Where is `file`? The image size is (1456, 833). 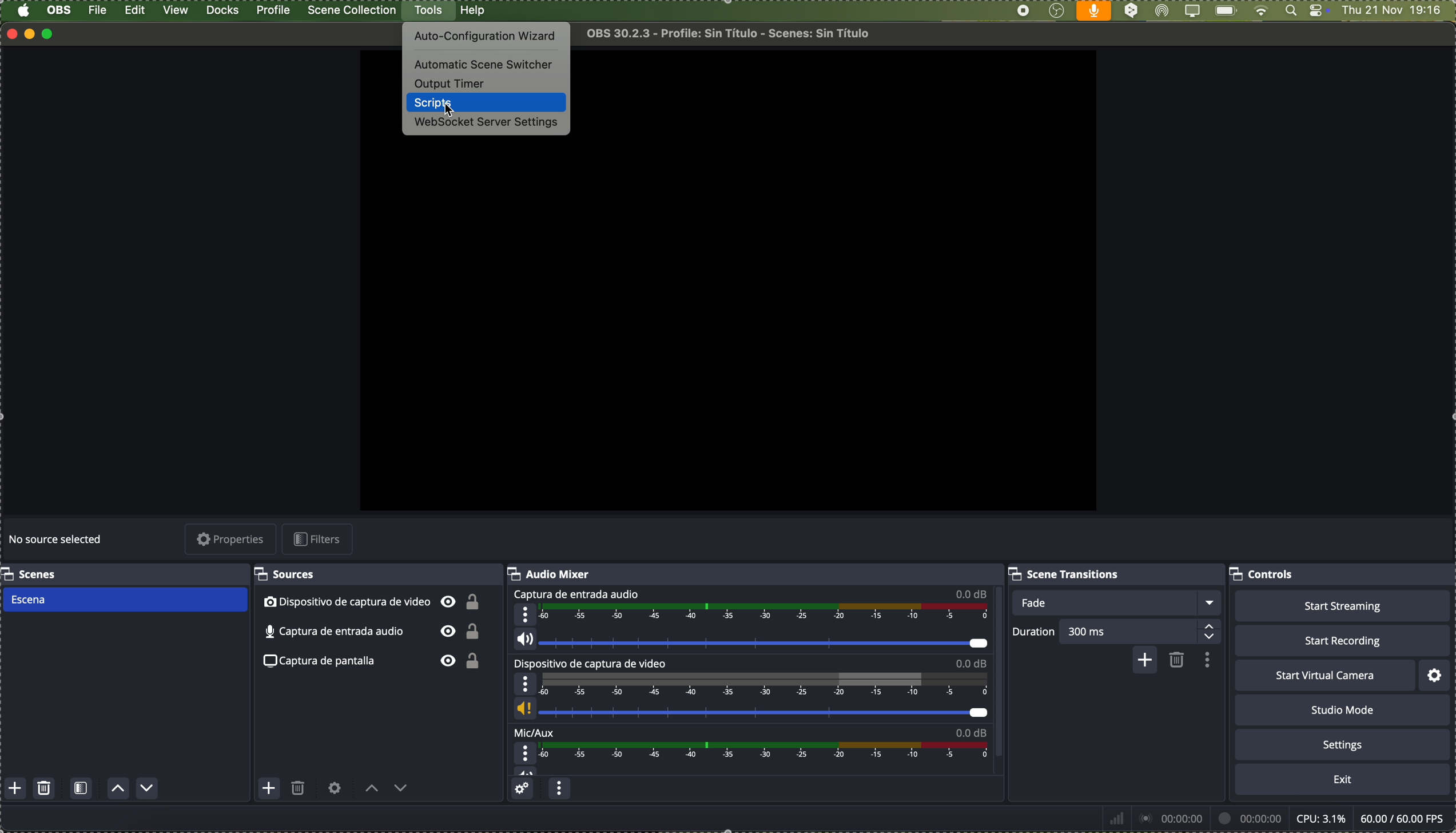 file is located at coordinates (99, 10).